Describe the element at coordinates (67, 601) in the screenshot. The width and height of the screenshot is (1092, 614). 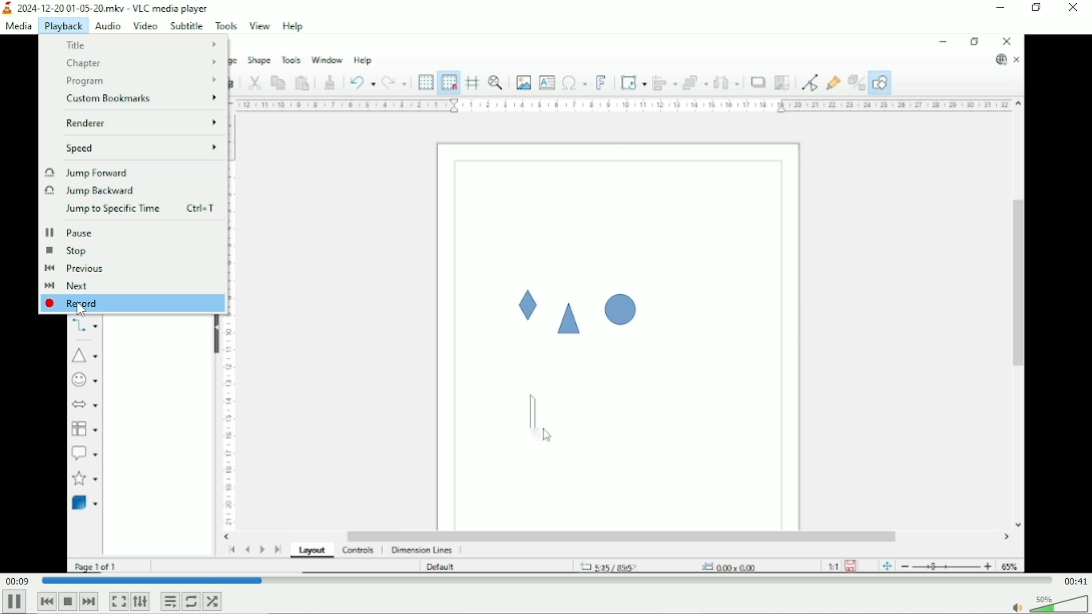
I see `Stop playback` at that location.